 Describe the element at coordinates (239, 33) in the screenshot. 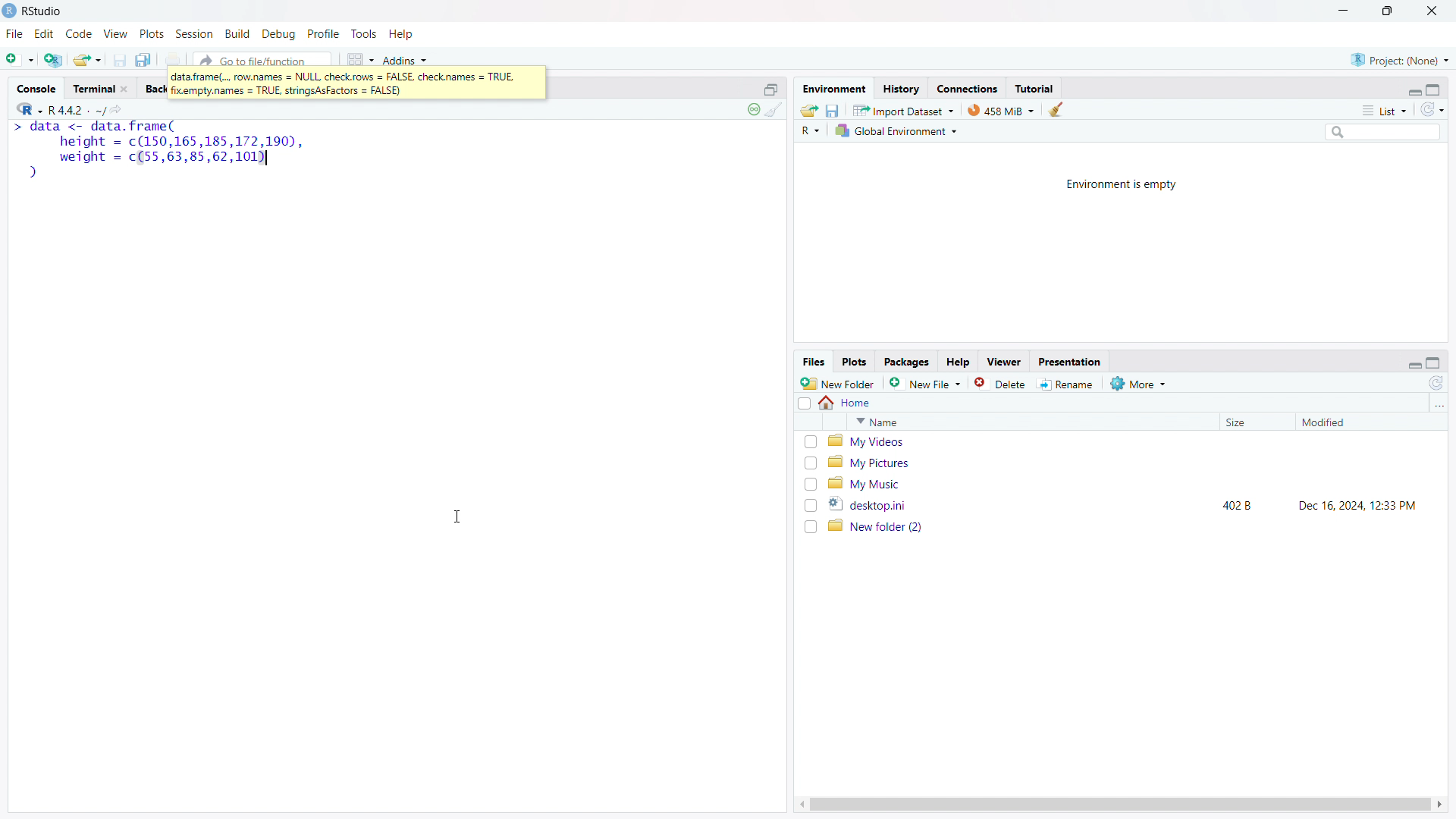

I see `build` at that location.